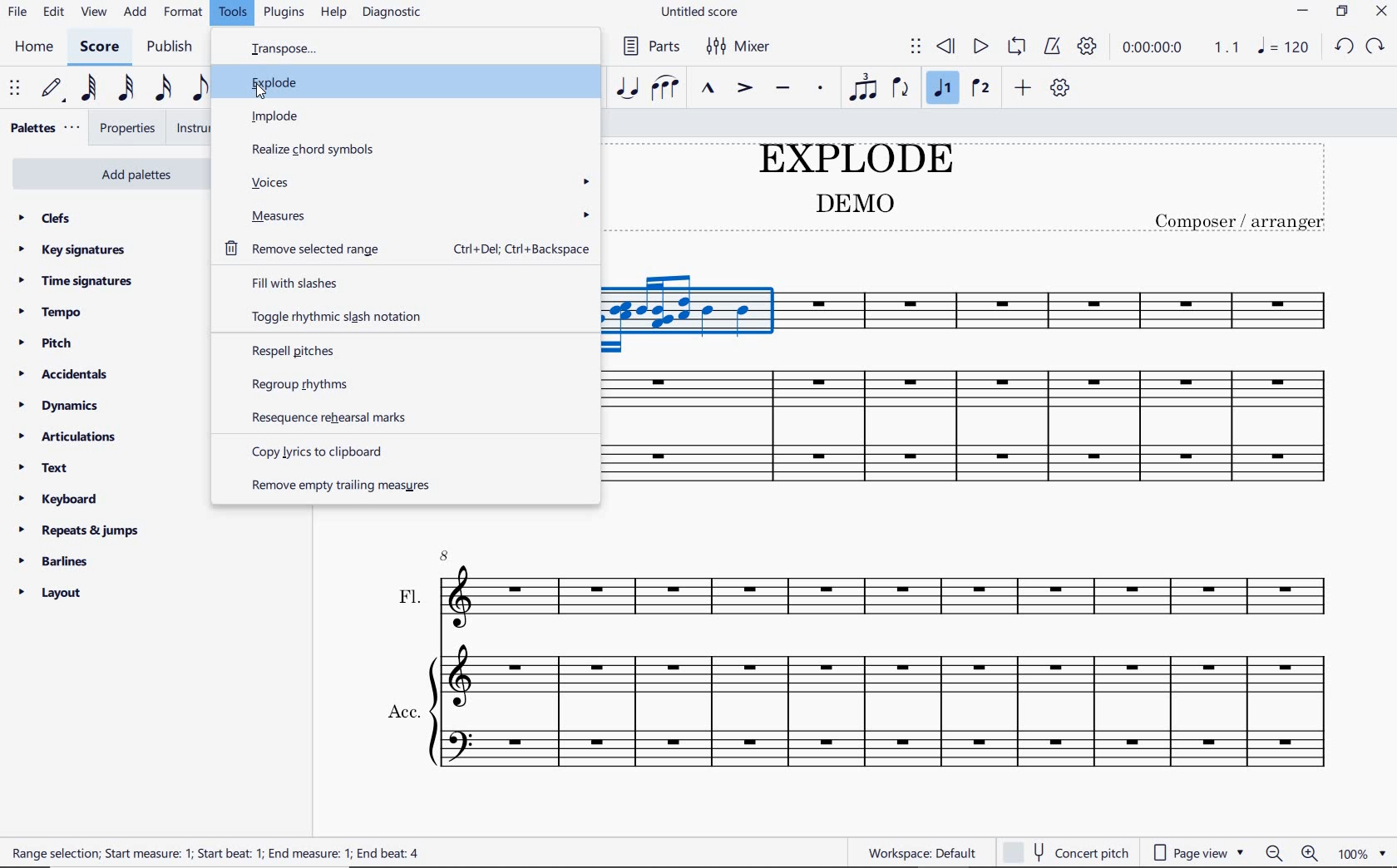 Image resolution: width=1397 pixels, height=868 pixels. What do you see at coordinates (978, 47) in the screenshot?
I see `play` at bounding box center [978, 47].